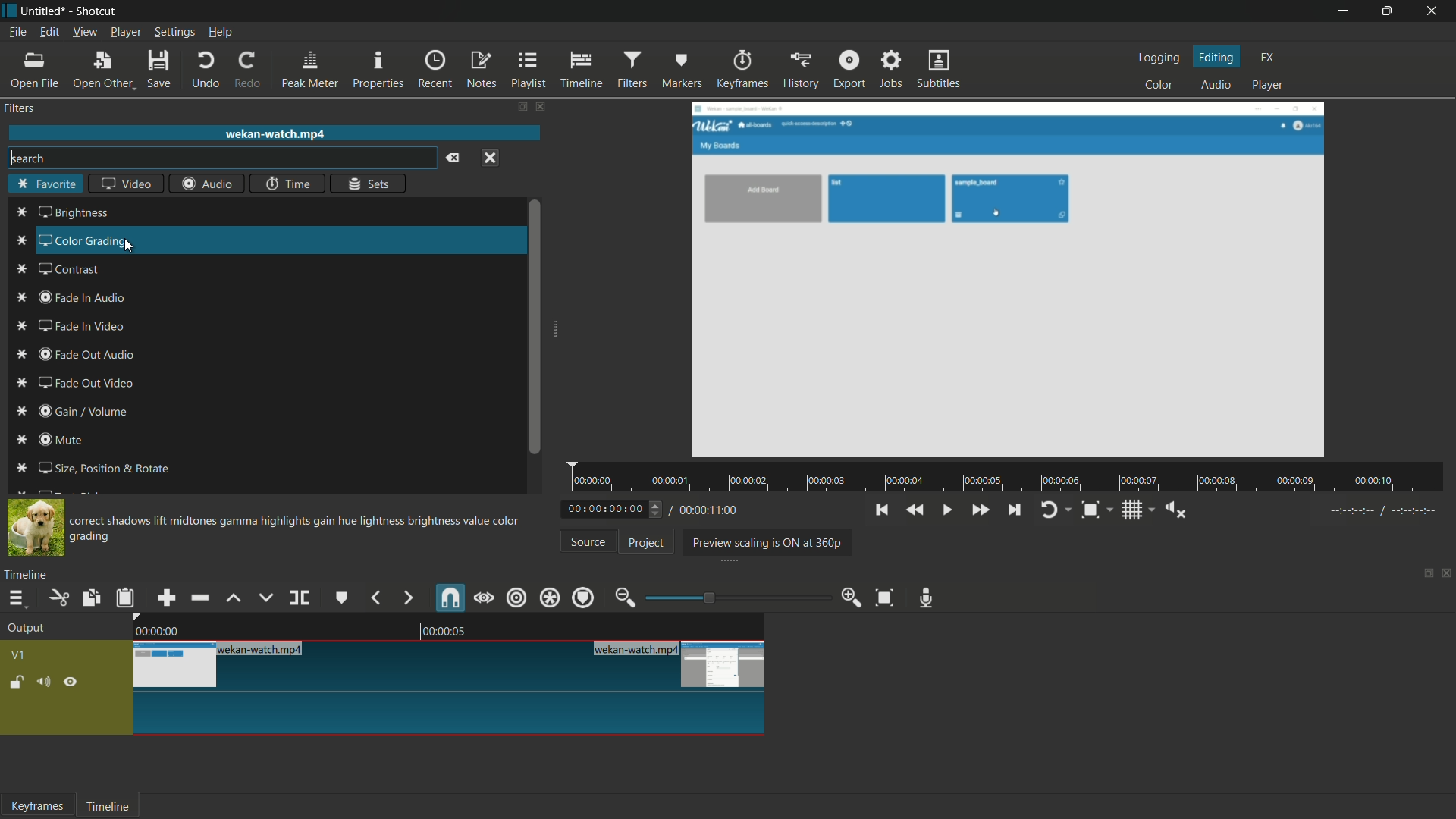 The height and width of the screenshot is (819, 1456). I want to click on text, so click(299, 529).